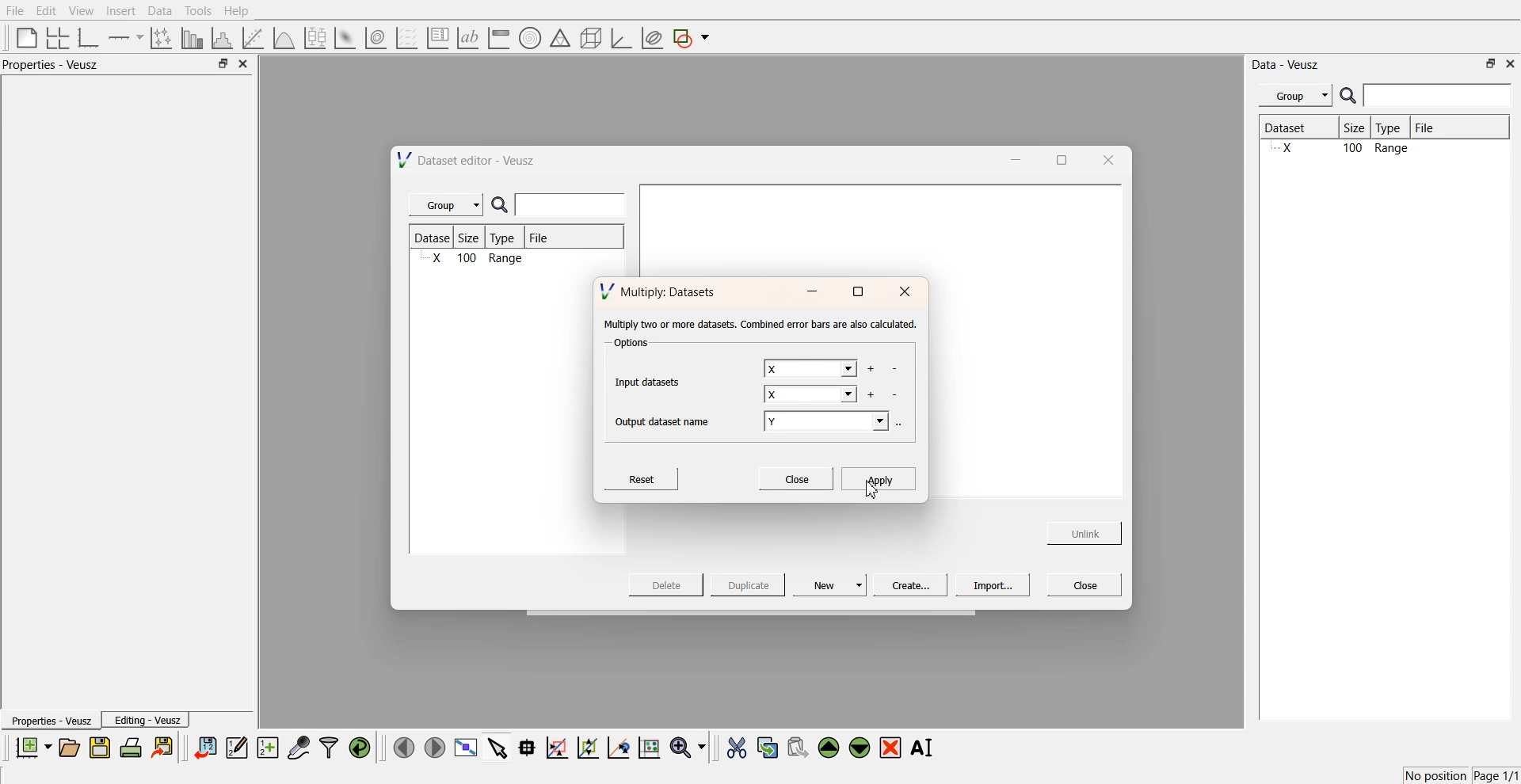 This screenshot has width=1521, height=784. Describe the element at coordinates (254, 36) in the screenshot. I see `fit a function` at that location.